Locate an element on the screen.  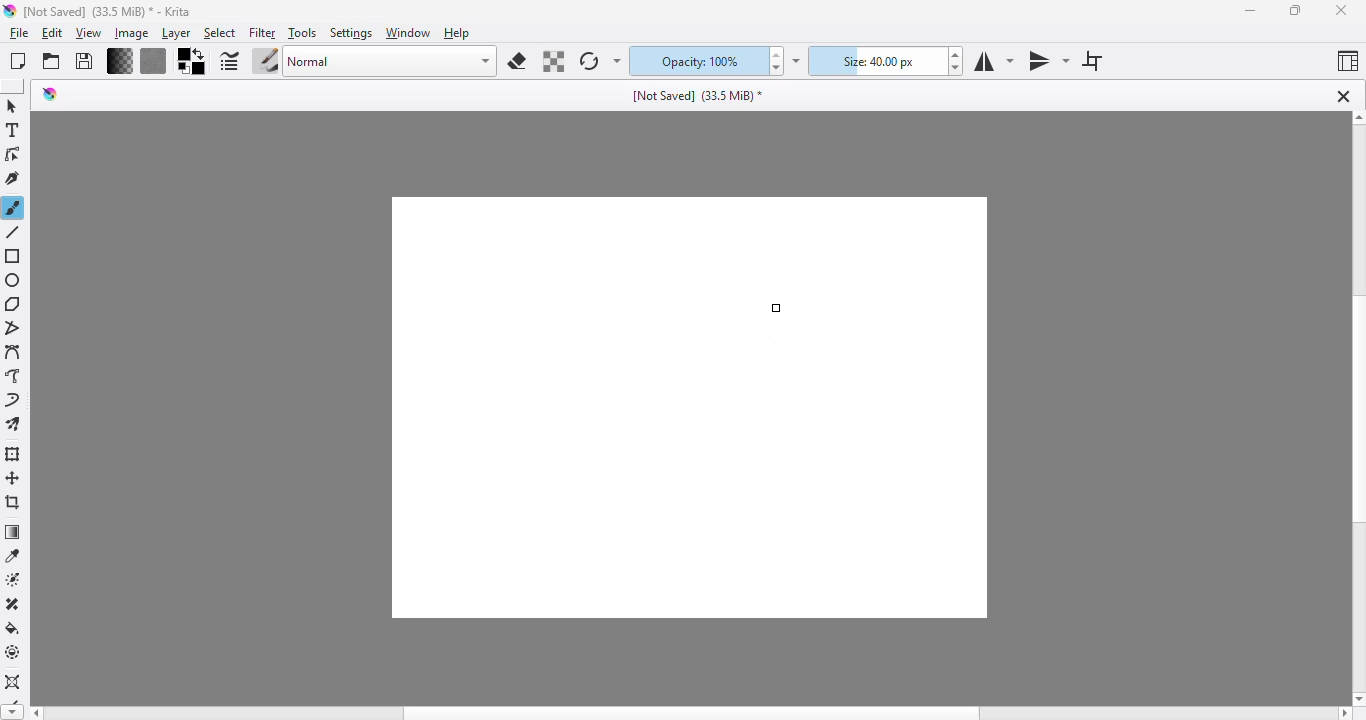
horizontal scroll bar is located at coordinates (692, 712).